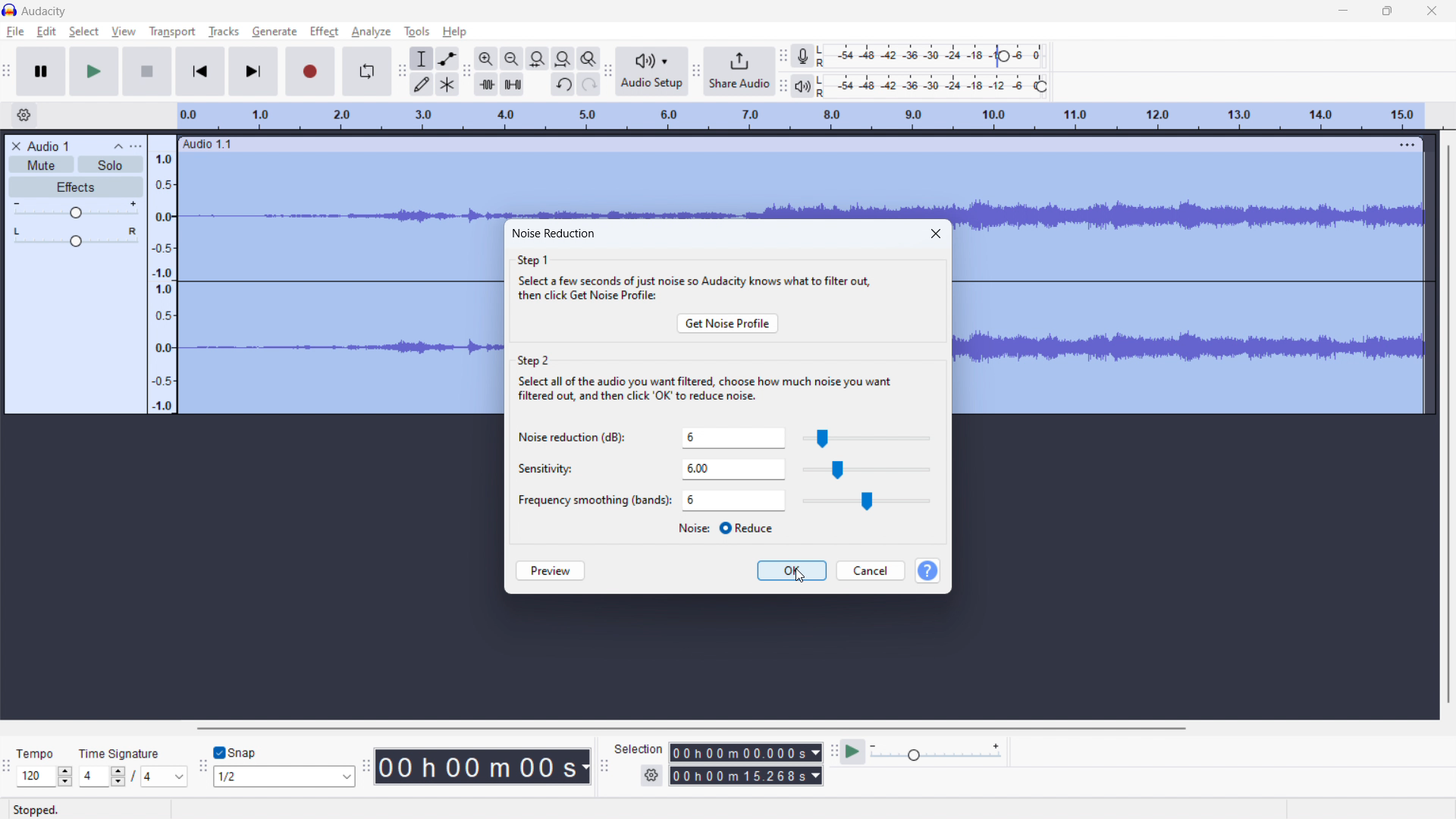 The width and height of the screenshot is (1456, 819). Describe the element at coordinates (123, 30) in the screenshot. I see `view` at that location.